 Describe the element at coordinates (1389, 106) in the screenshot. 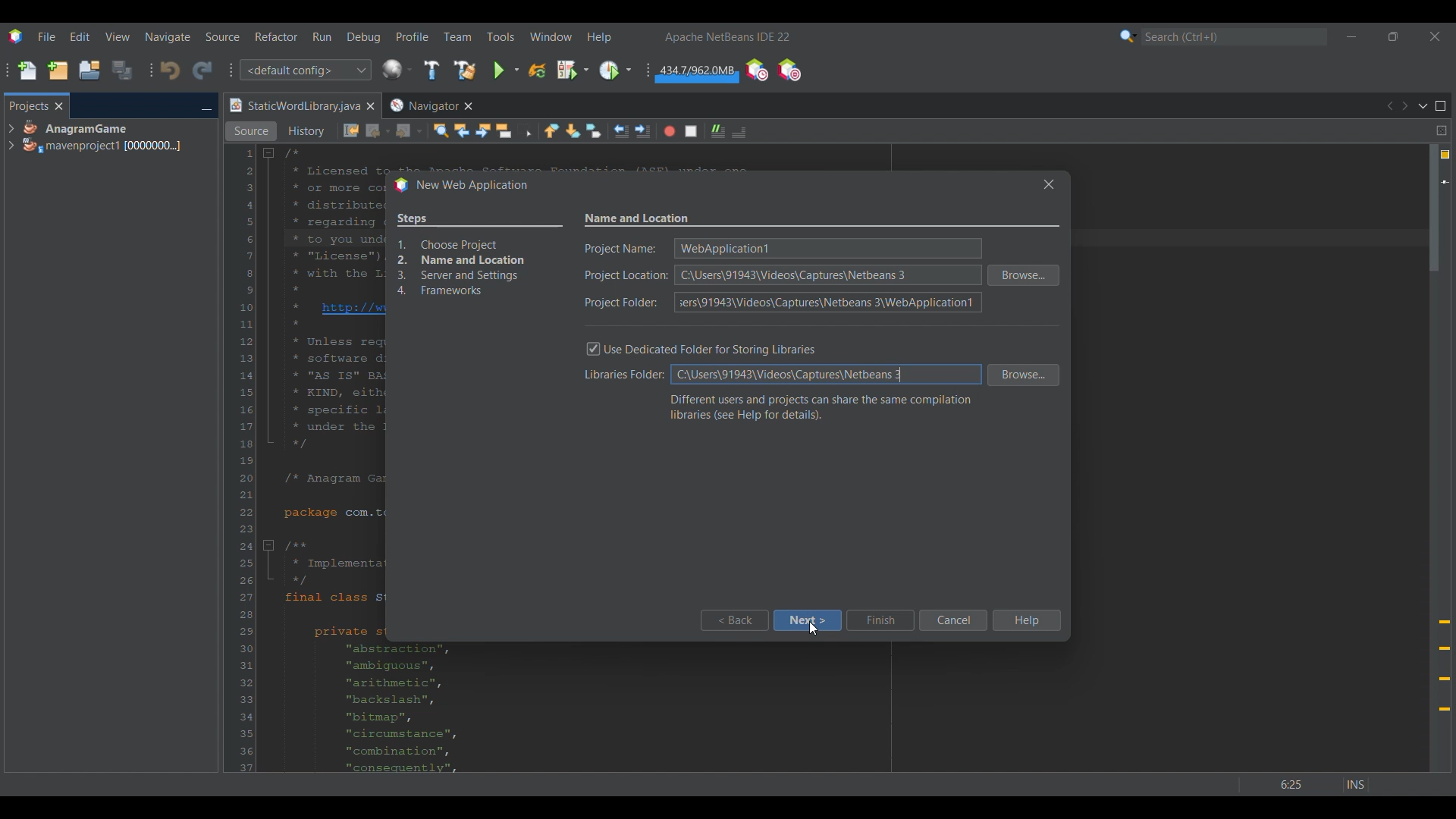

I see `Previous` at that location.